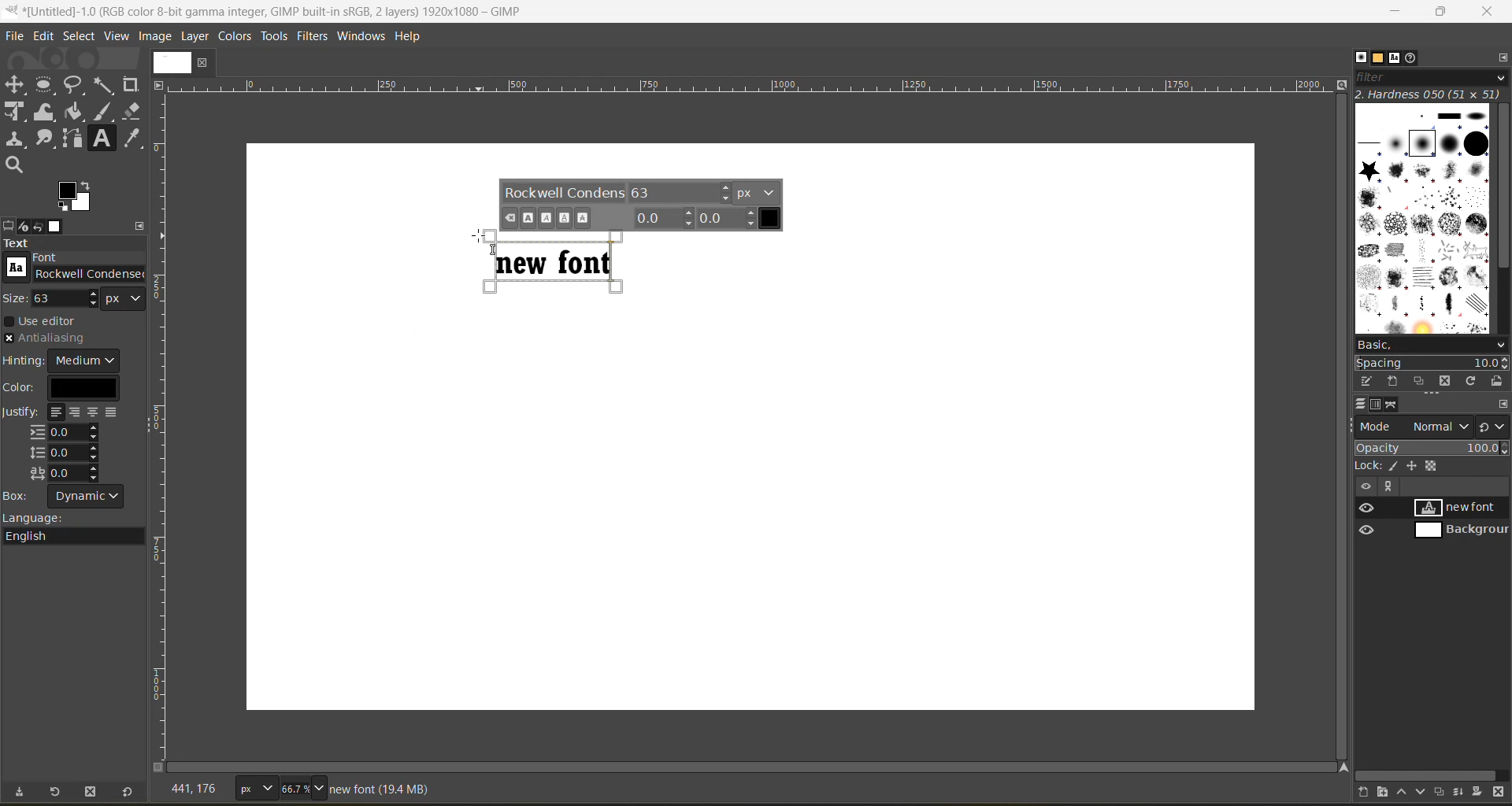  Describe the element at coordinates (201, 789) in the screenshot. I see `coordinates` at that location.